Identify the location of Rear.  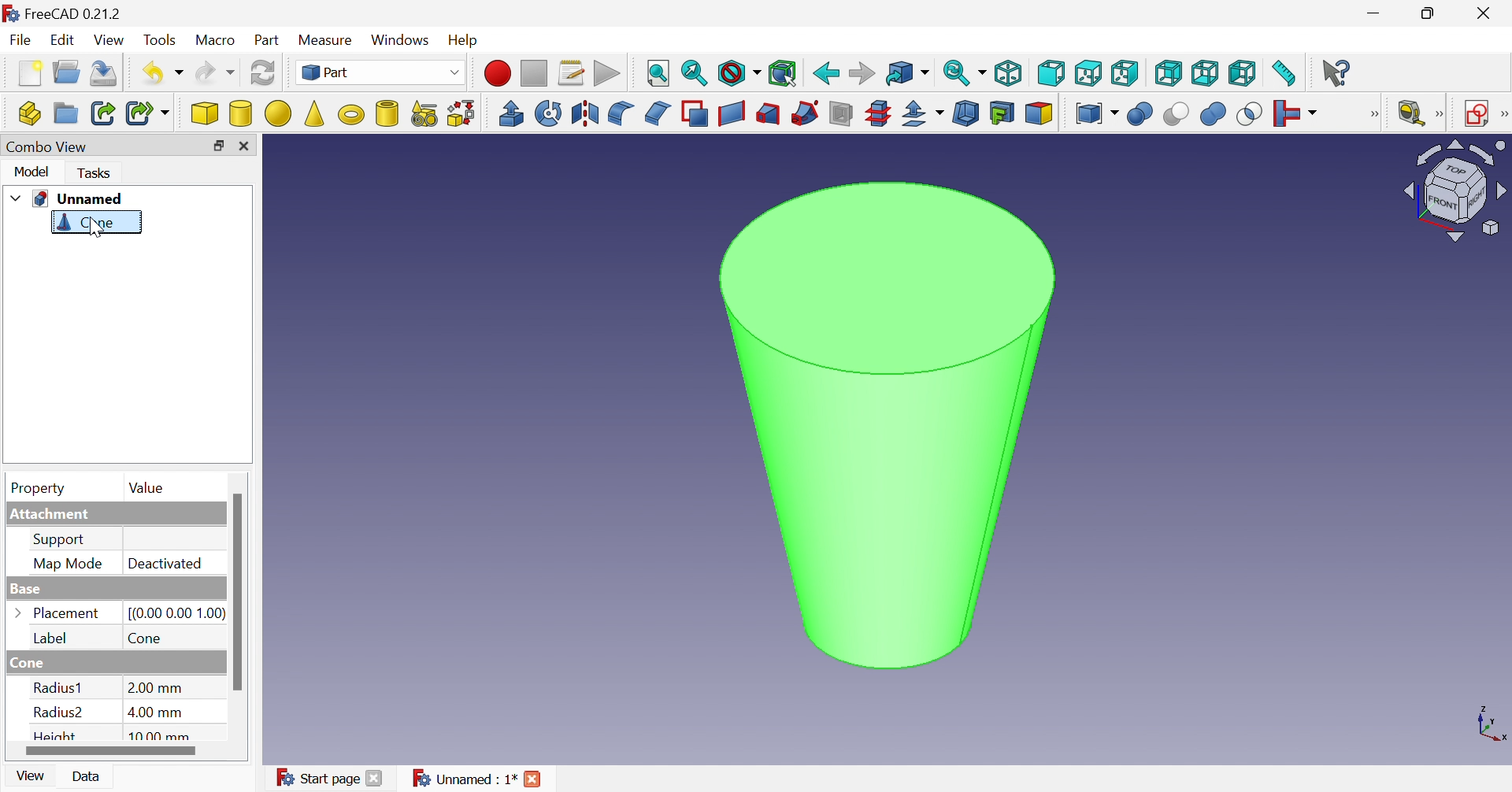
(1169, 73).